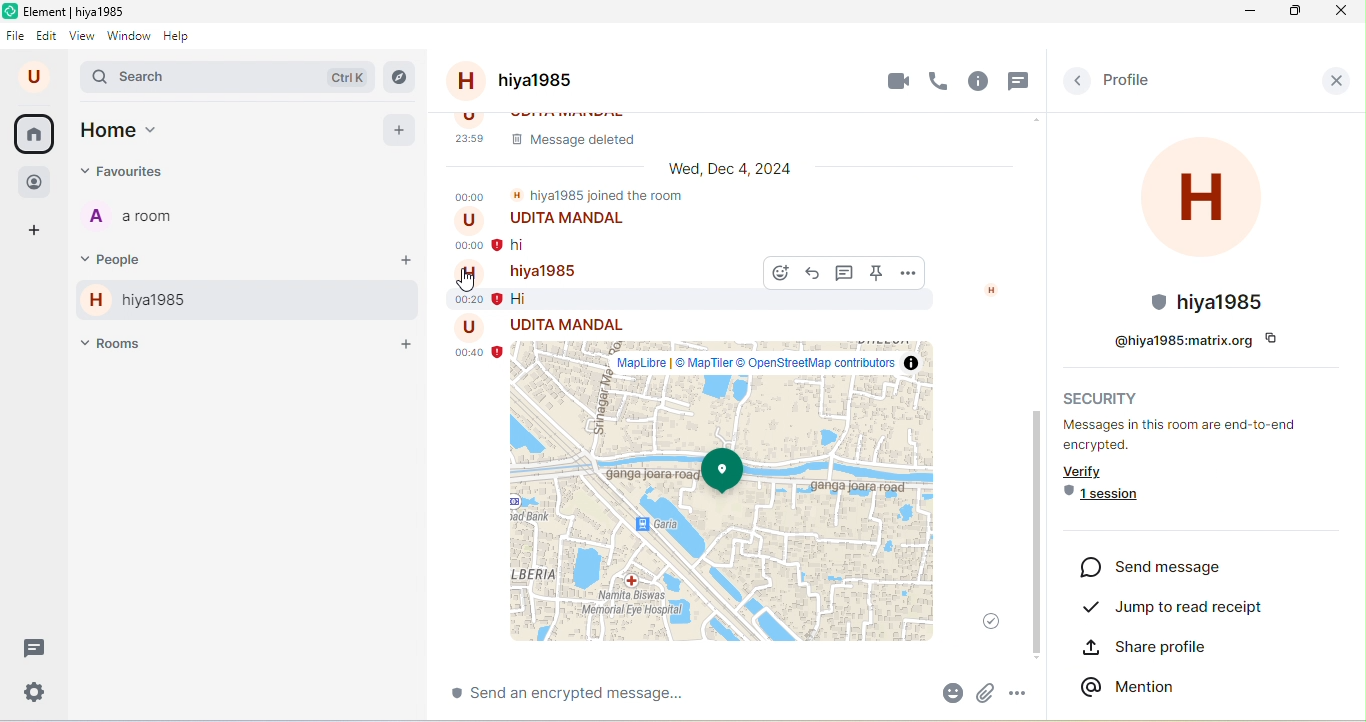 This screenshot has width=1366, height=722. What do you see at coordinates (145, 77) in the screenshot?
I see `search bar` at bounding box center [145, 77].